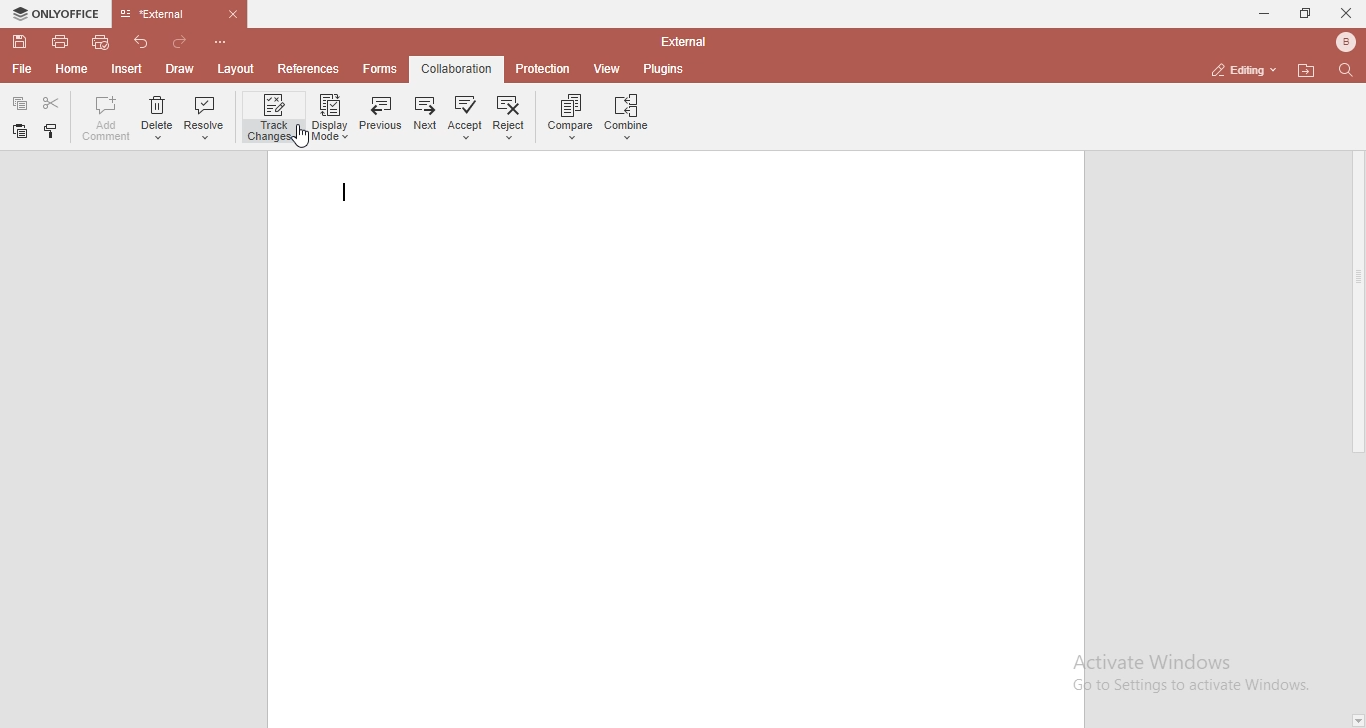  What do you see at coordinates (1348, 14) in the screenshot?
I see `close` at bounding box center [1348, 14].